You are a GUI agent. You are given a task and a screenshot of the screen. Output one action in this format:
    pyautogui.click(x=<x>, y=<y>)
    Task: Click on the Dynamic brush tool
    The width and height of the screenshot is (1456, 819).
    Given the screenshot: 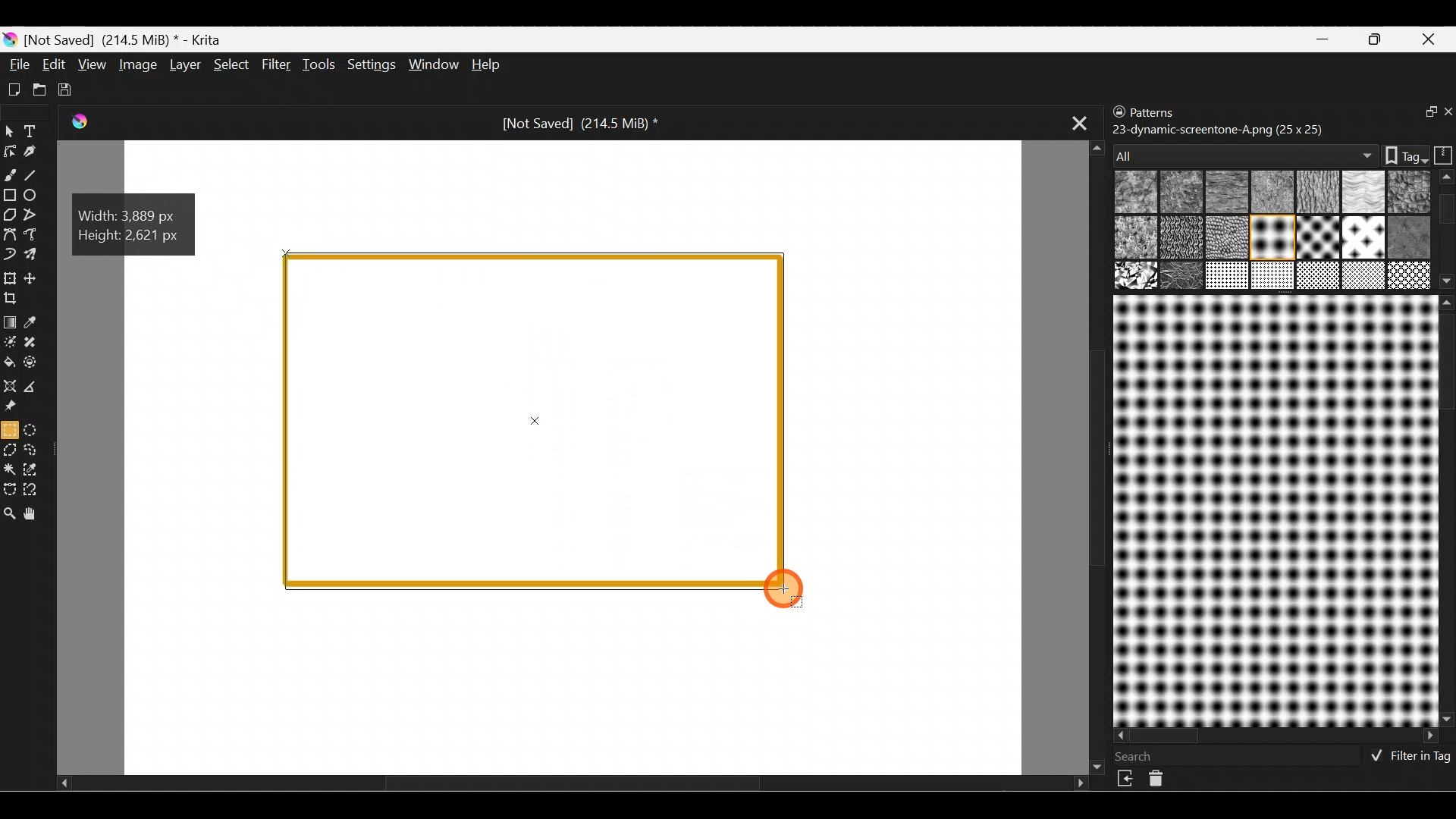 What is the action you would take?
    pyautogui.click(x=10, y=255)
    